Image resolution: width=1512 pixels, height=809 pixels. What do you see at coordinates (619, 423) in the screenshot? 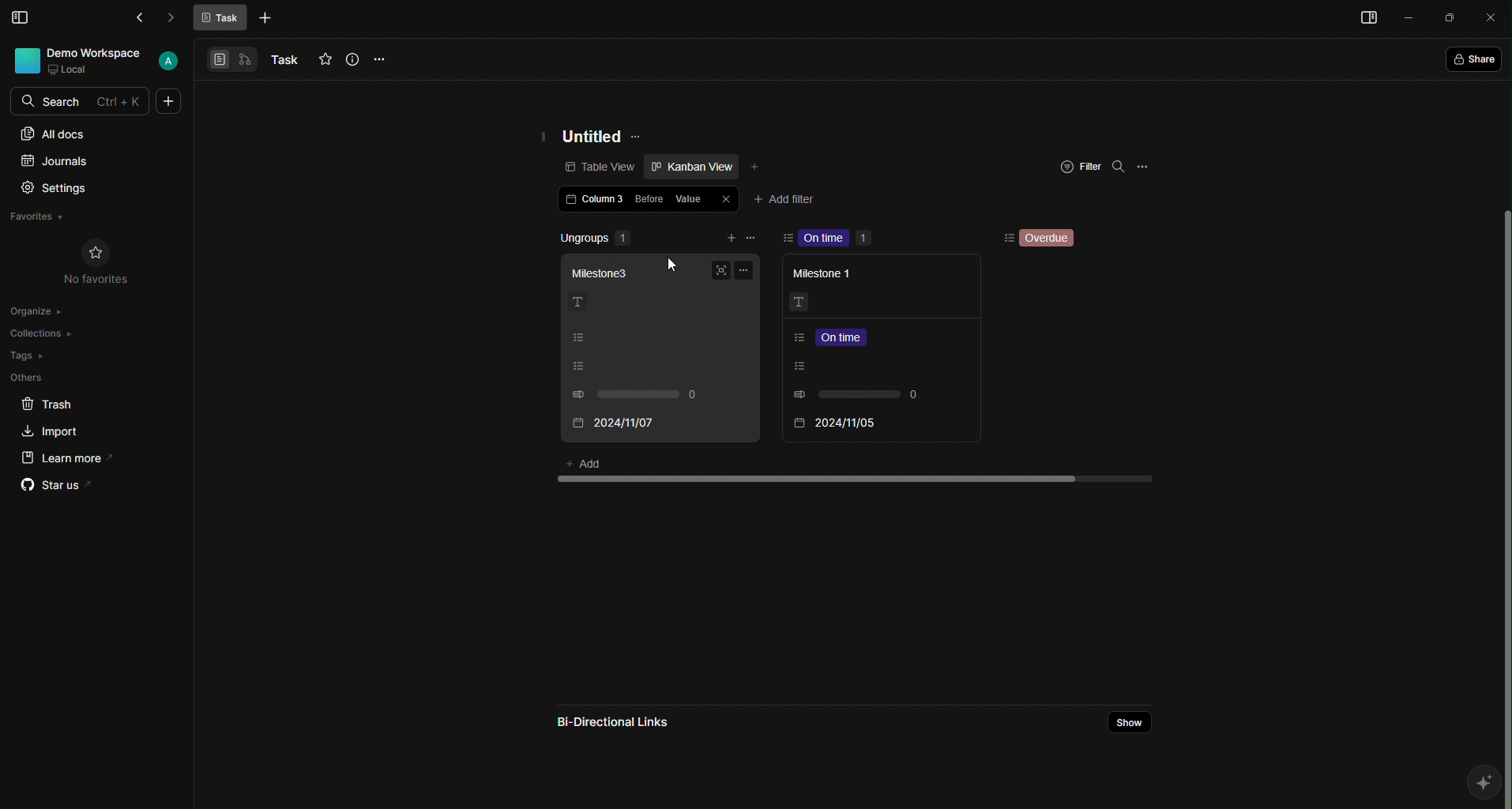
I see `2024/11/05` at bounding box center [619, 423].